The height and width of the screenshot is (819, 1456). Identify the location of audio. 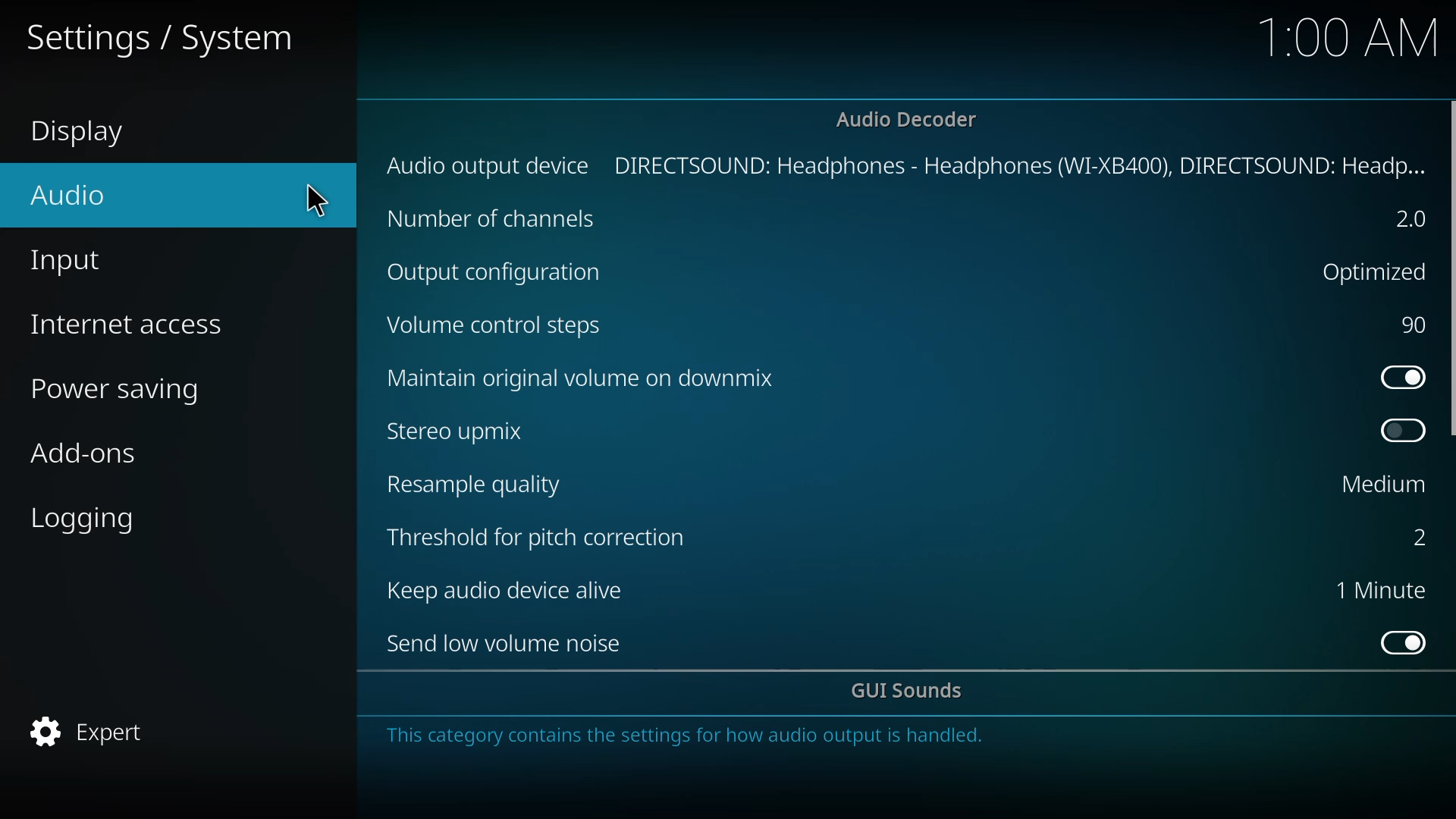
(184, 191).